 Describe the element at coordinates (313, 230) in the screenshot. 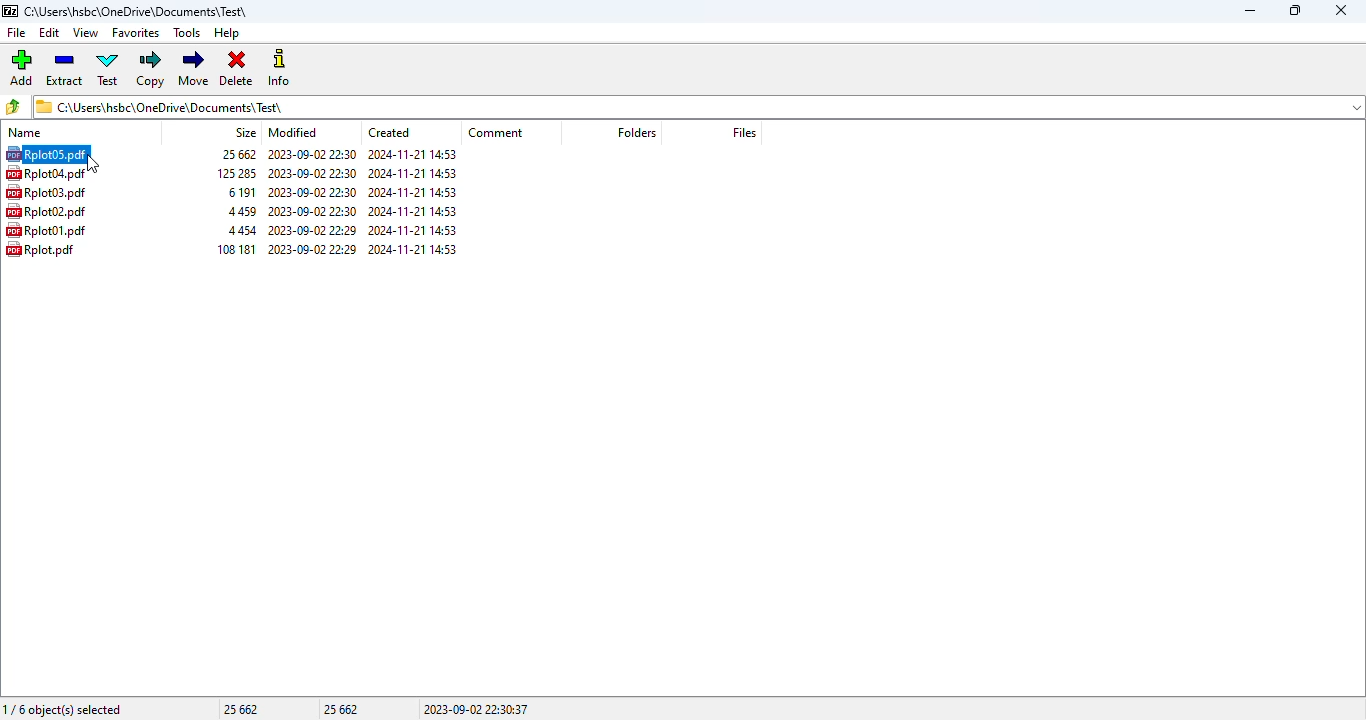

I see `modified date & time` at that location.